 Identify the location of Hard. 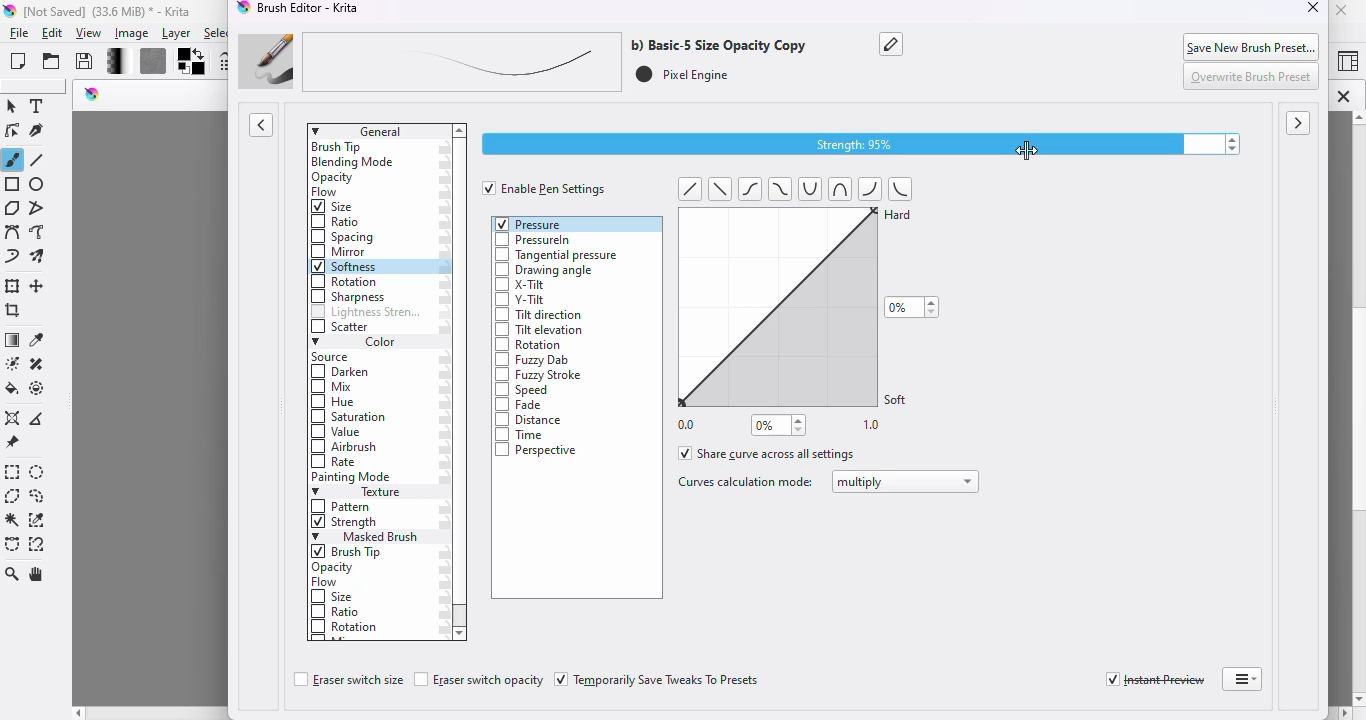
(900, 222).